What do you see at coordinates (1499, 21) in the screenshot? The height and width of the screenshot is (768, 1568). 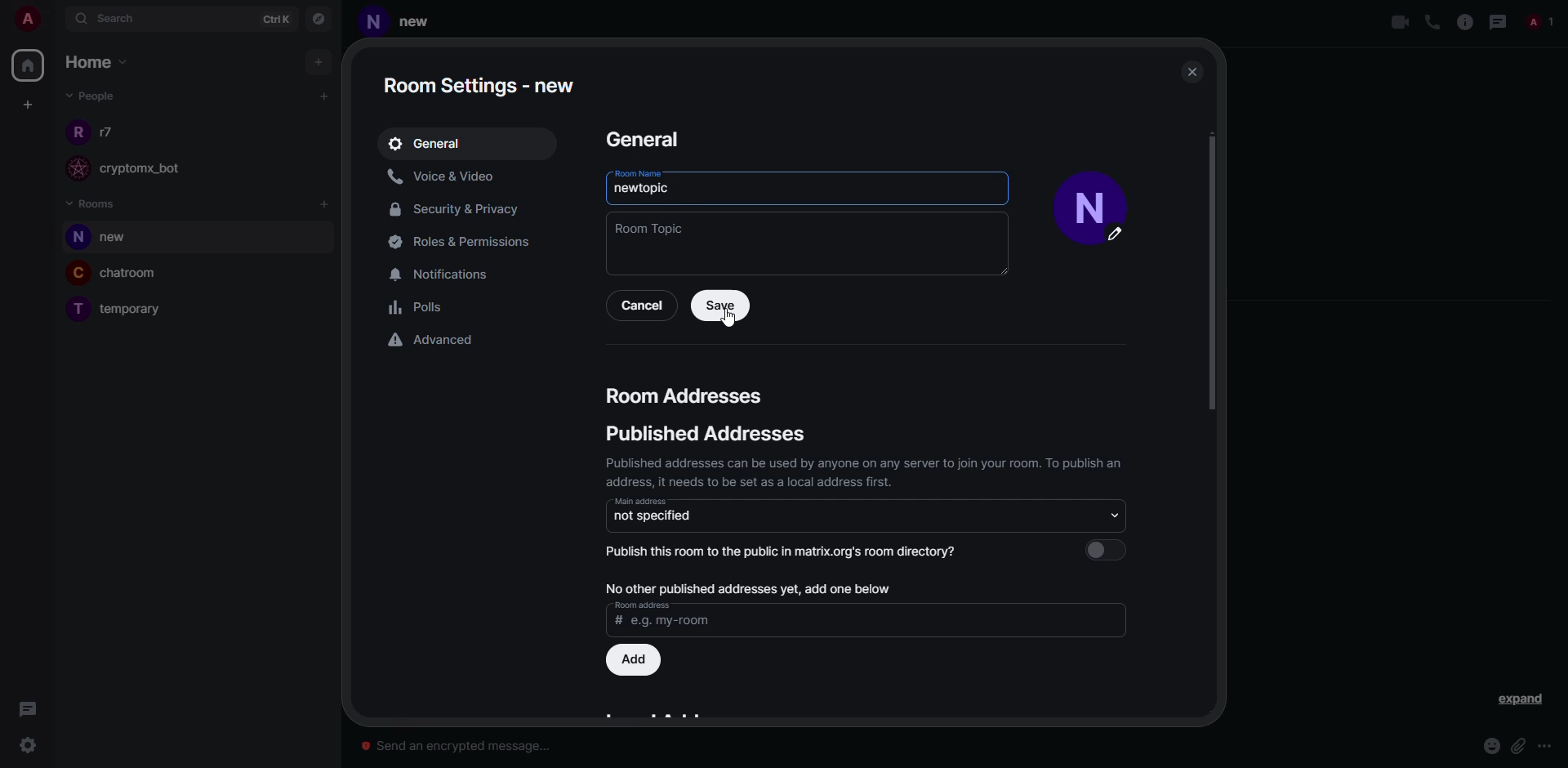 I see `threads` at bounding box center [1499, 21].